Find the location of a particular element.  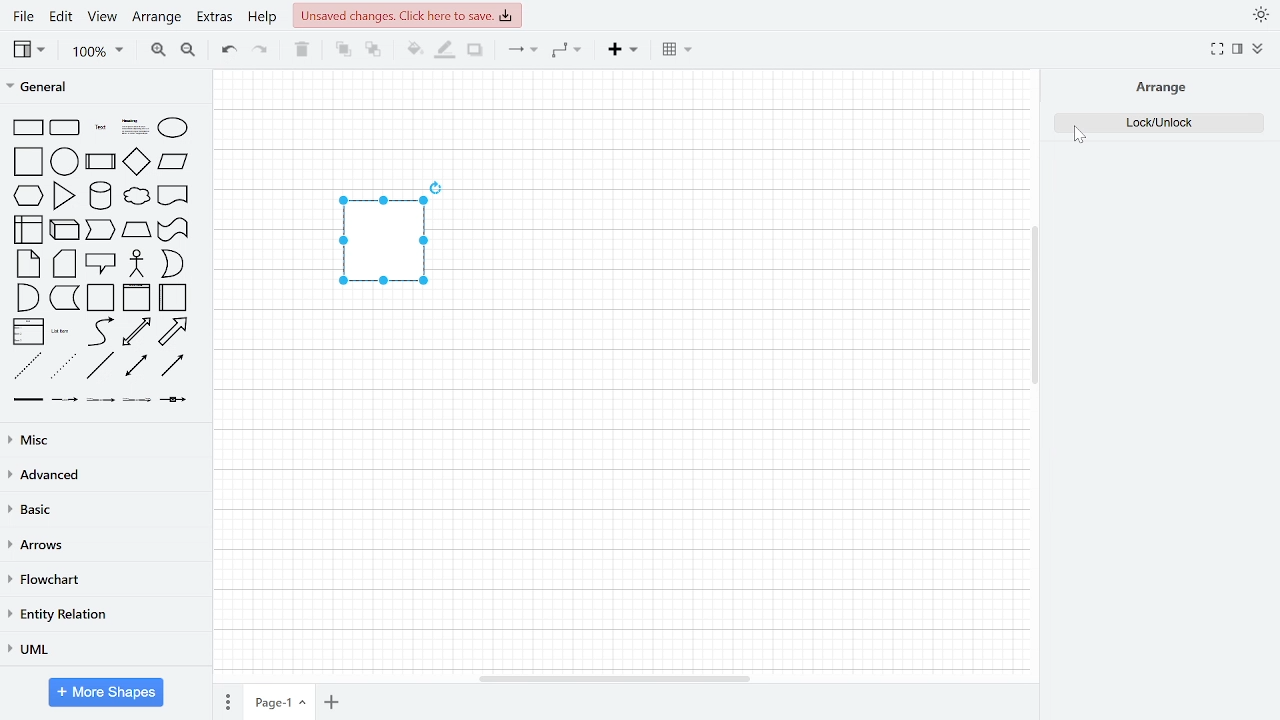

Delete is located at coordinates (302, 50).